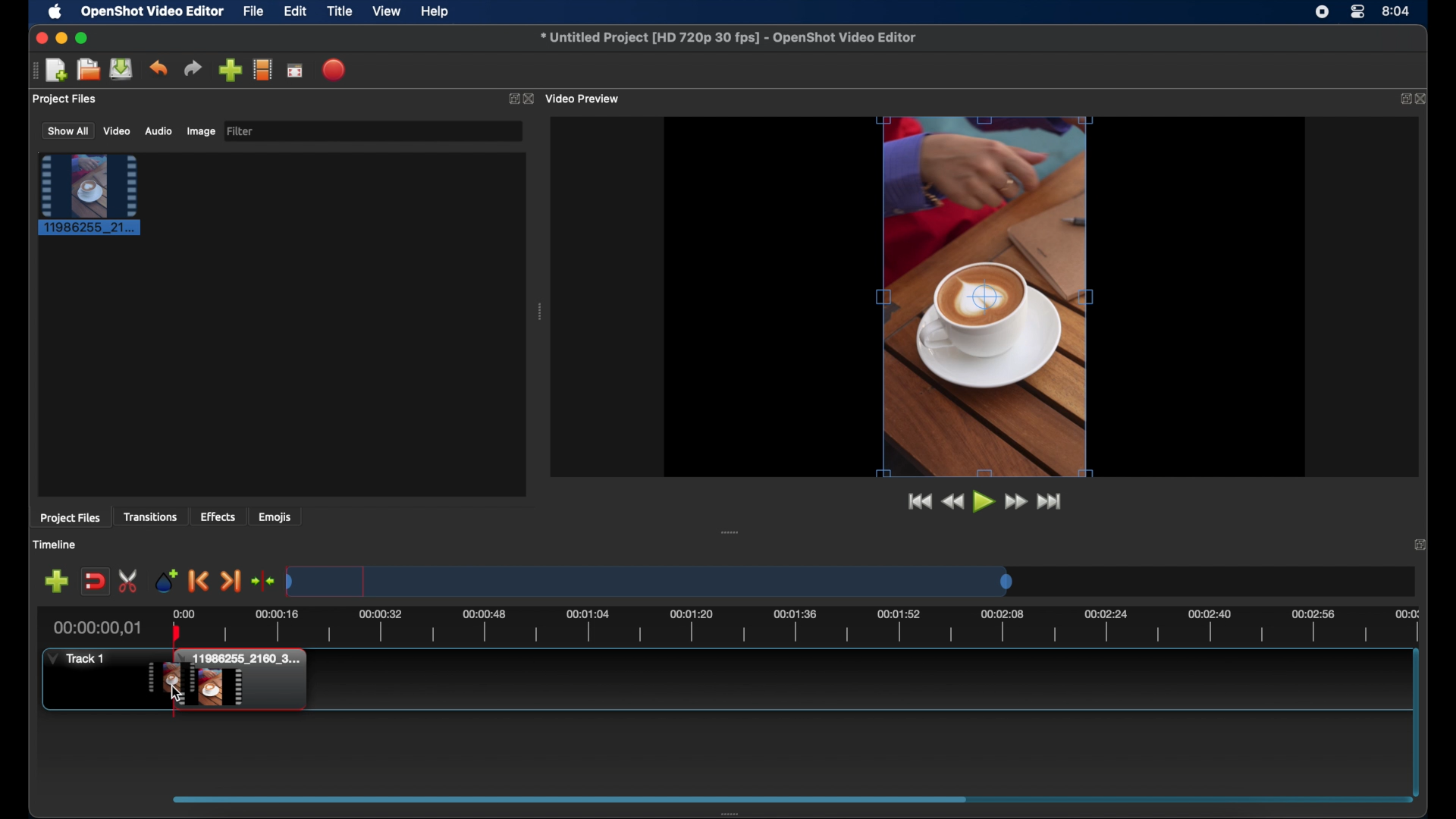  Describe the element at coordinates (66, 99) in the screenshot. I see `project files` at that location.